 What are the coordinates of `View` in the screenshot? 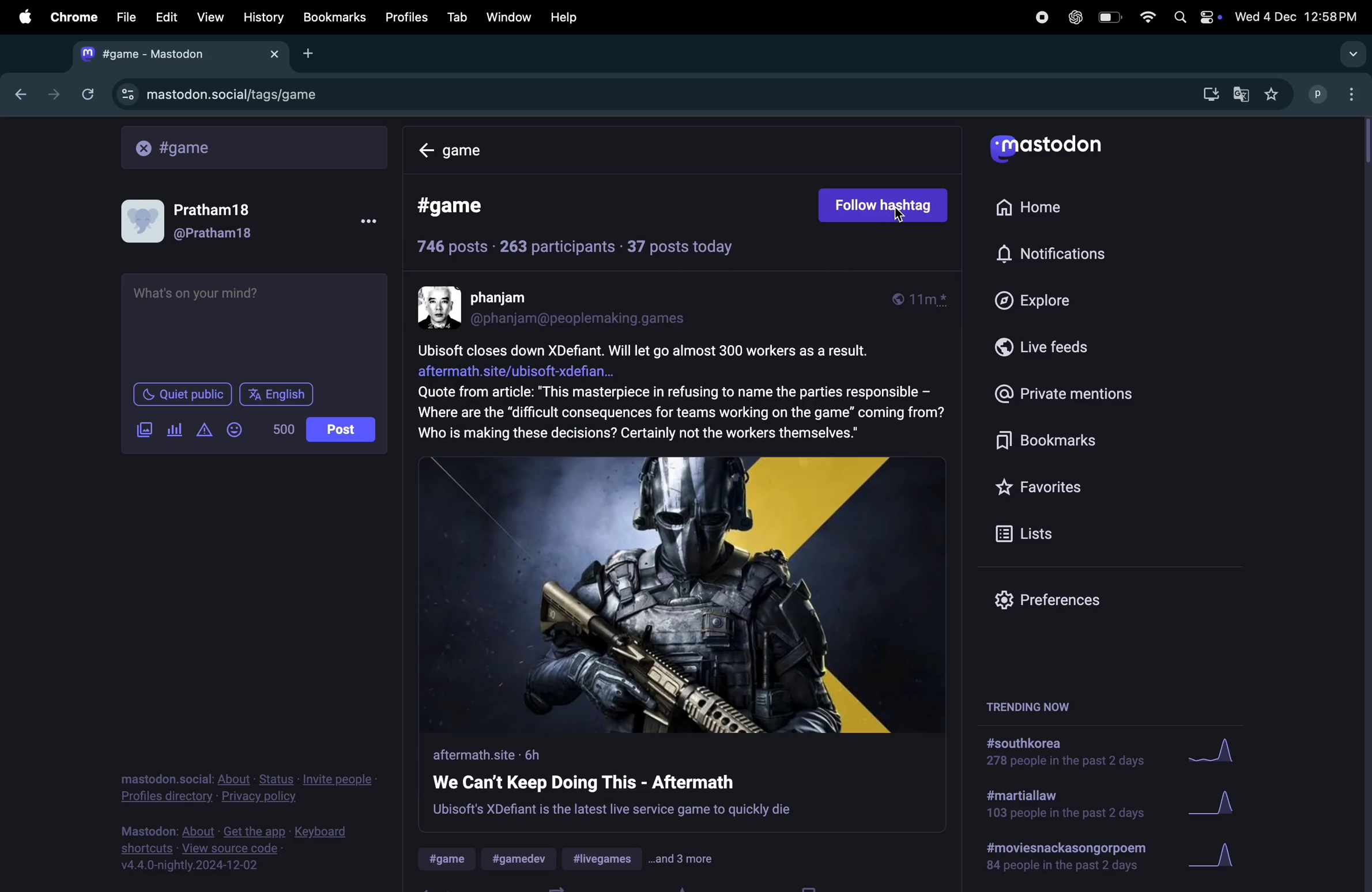 It's located at (210, 16).